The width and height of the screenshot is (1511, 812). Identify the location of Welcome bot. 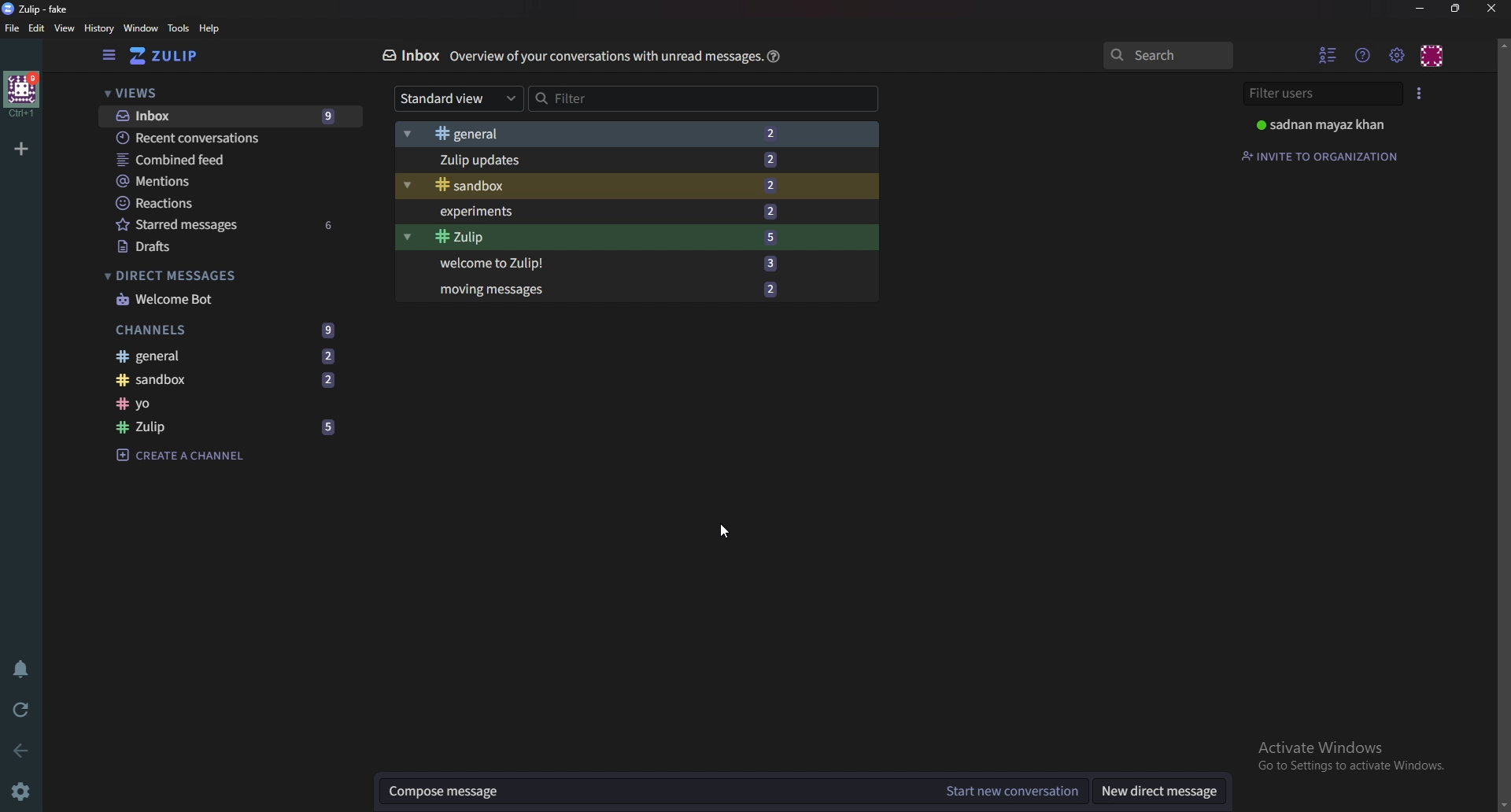
(222, 299).